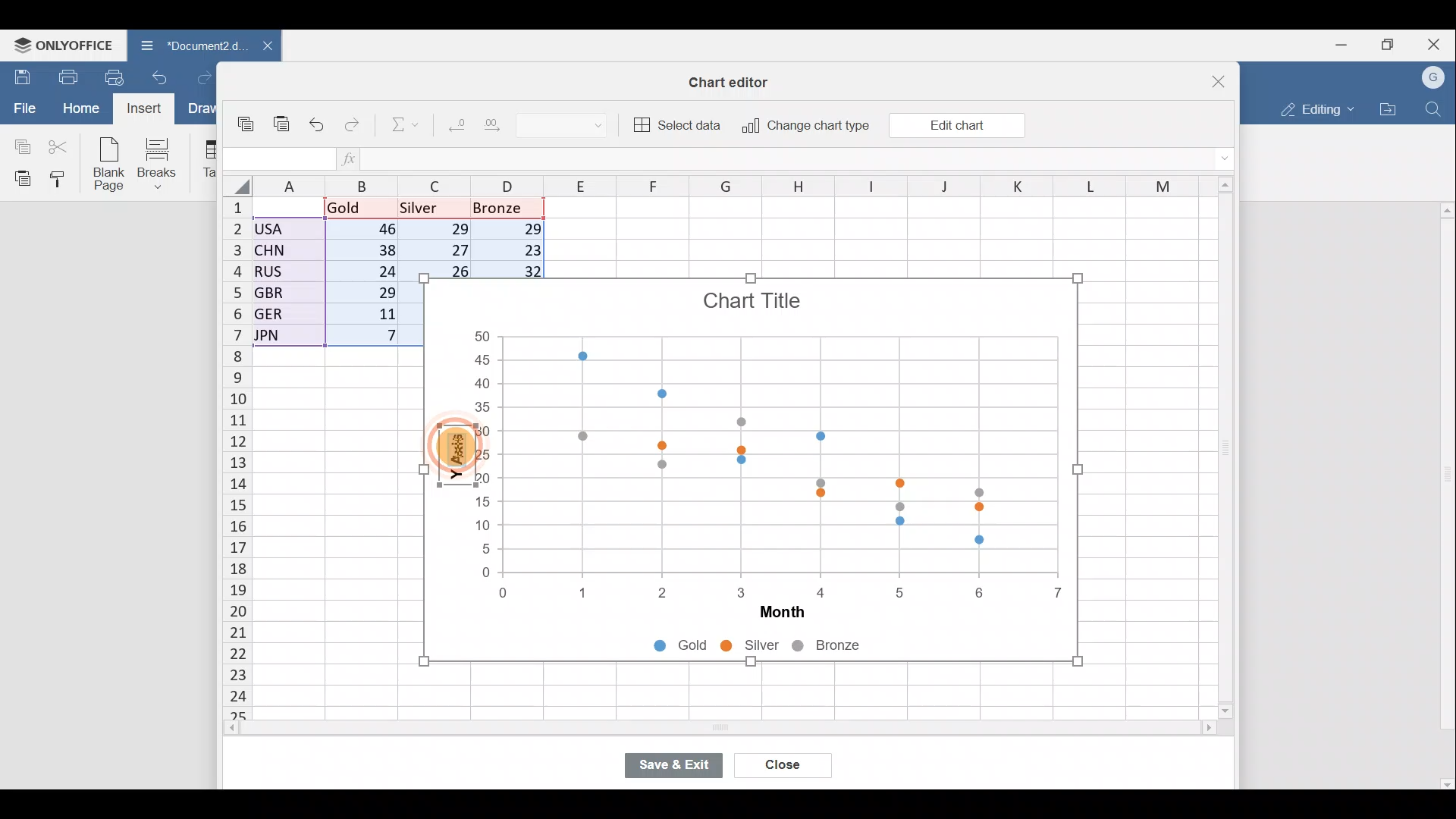 The width and height of the screenshot is (1456, 819). Describe the element at coordinates (1338, 46) in the screenshot. I see `Minimize` at that location.